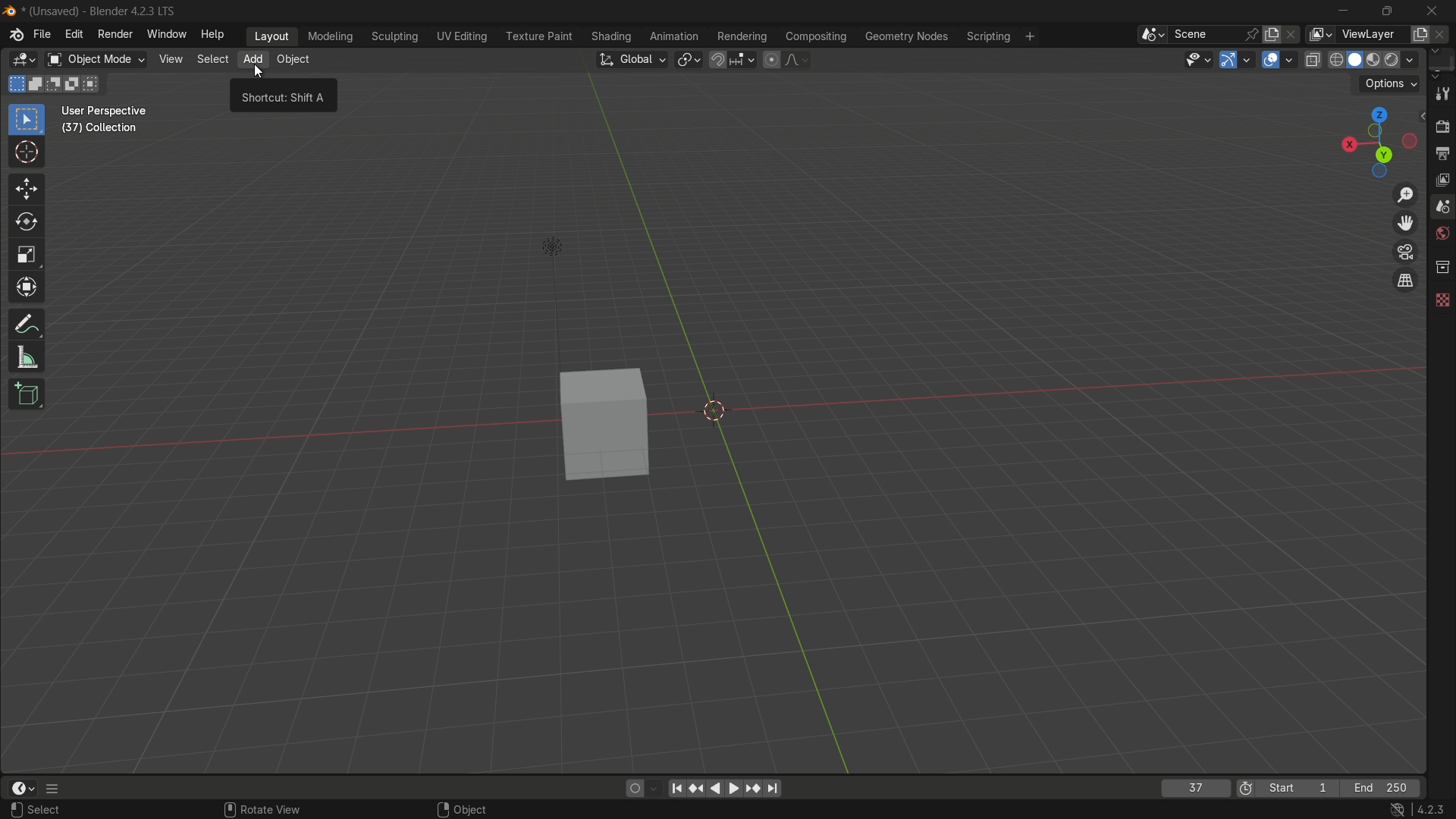 The width and height of the screenshot is (1456, 819). What do you see at coordinates (212, 35) in the screenshot?
I see `help menu` at bounding box center [212, 35].